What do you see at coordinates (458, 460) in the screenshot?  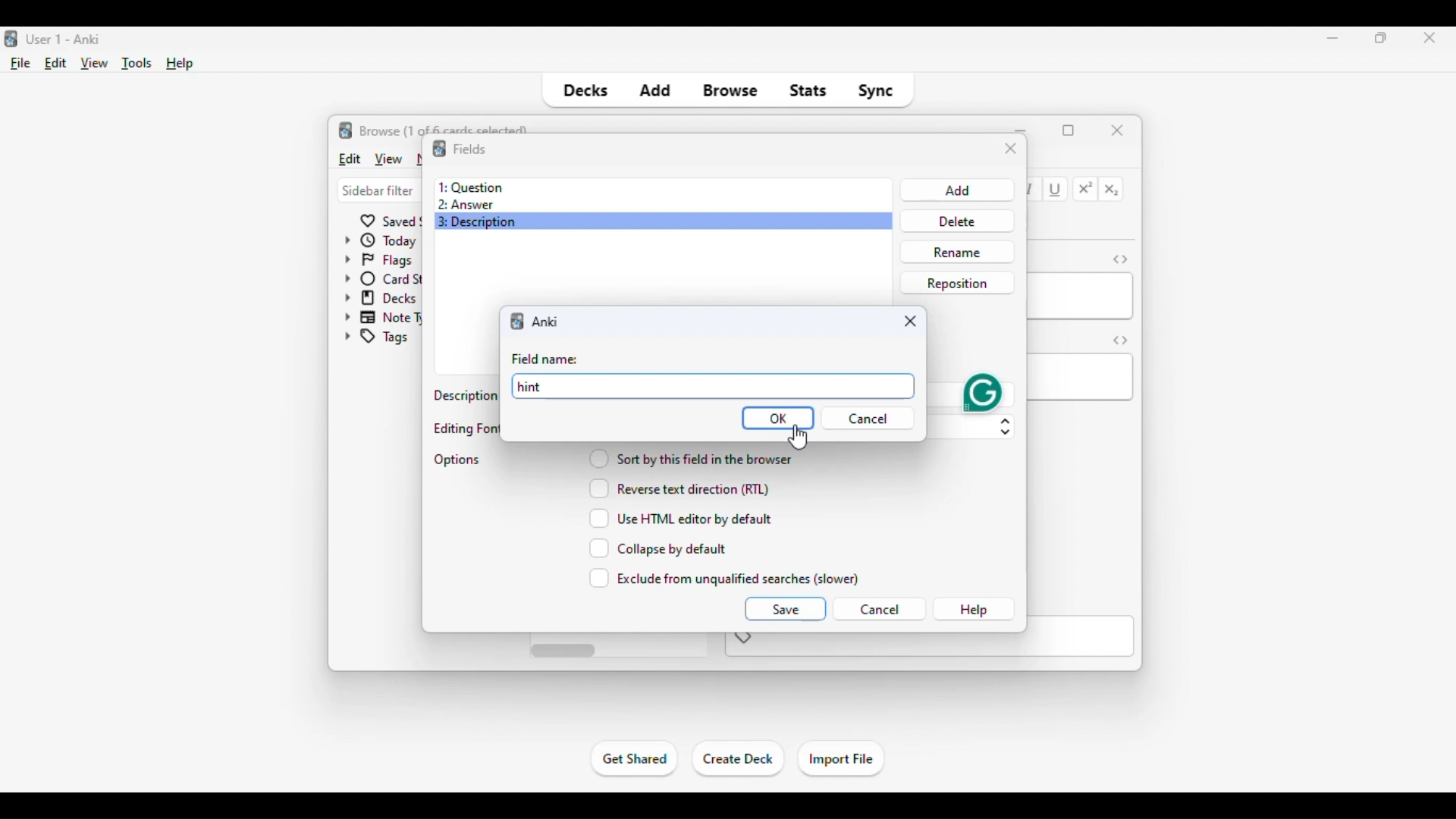 I see `options` at bounding box center [458, 460].